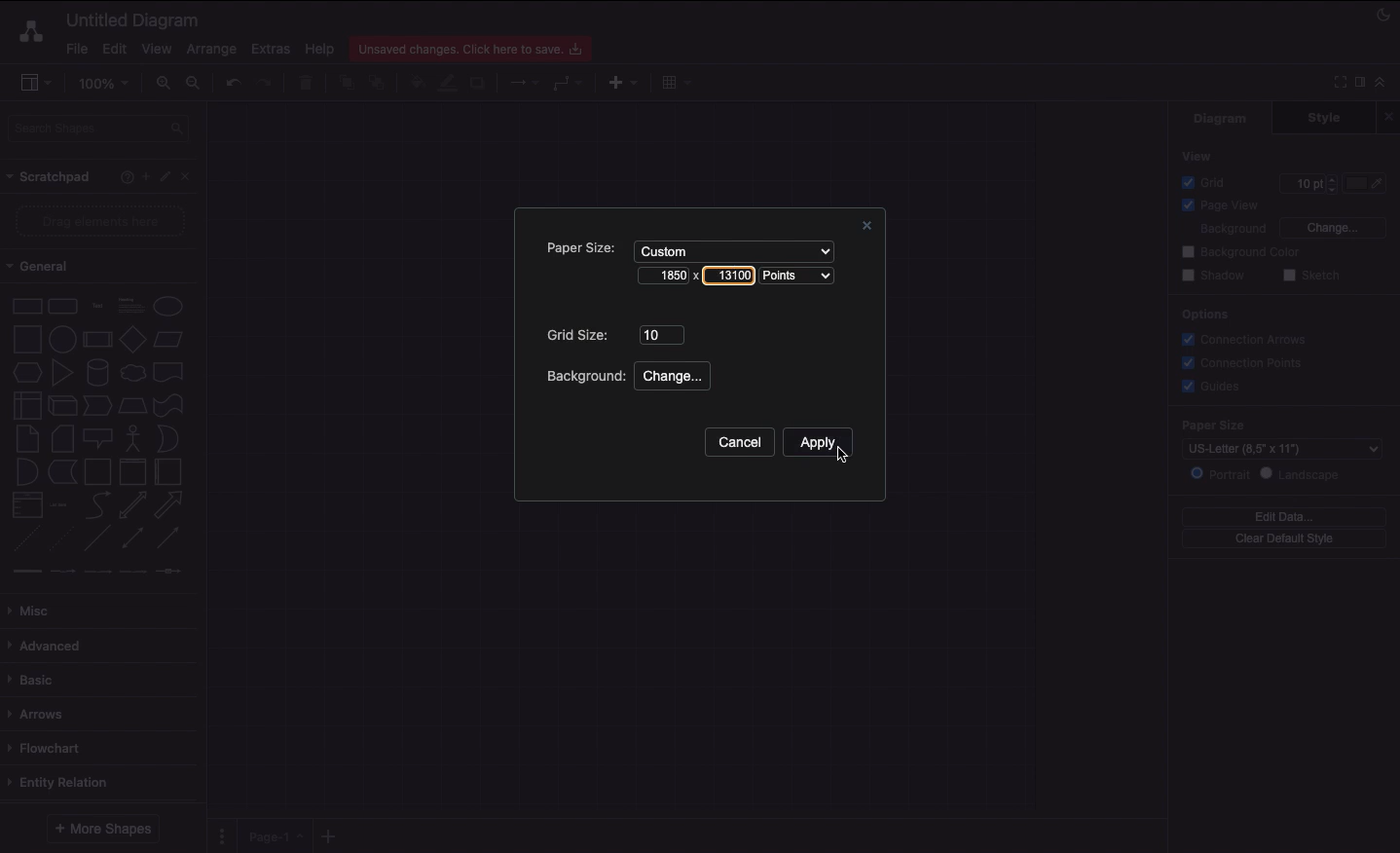  What do you see at coordinates (1312, 277) in the screenshot?
I see `Sketch ` at bounding box center [1312, 277].